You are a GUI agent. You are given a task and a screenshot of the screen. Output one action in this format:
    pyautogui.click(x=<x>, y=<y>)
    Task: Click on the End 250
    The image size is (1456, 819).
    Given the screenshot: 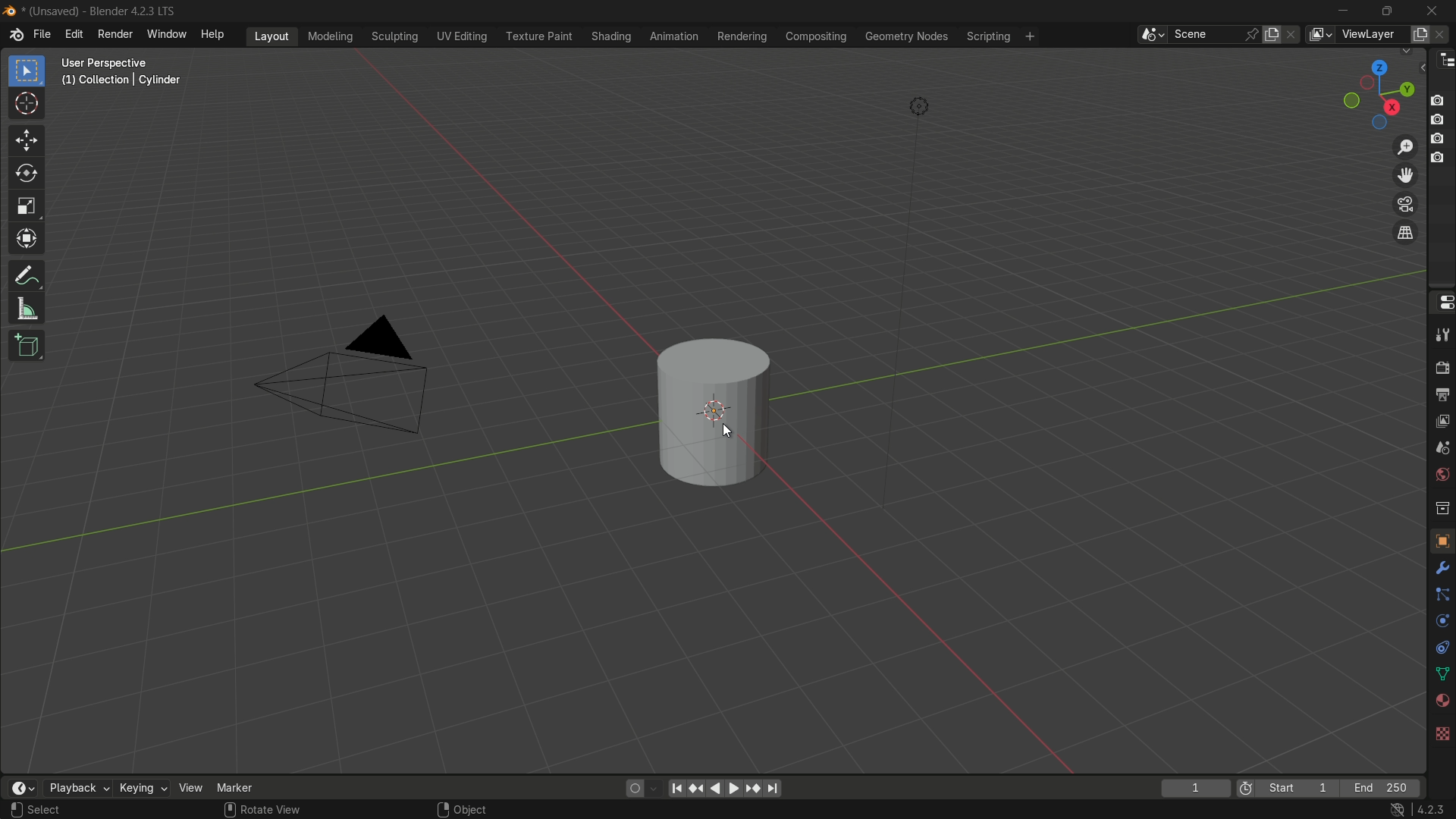 What is the action you would take?
    pyautogui.click(x=1384, y=788)
    